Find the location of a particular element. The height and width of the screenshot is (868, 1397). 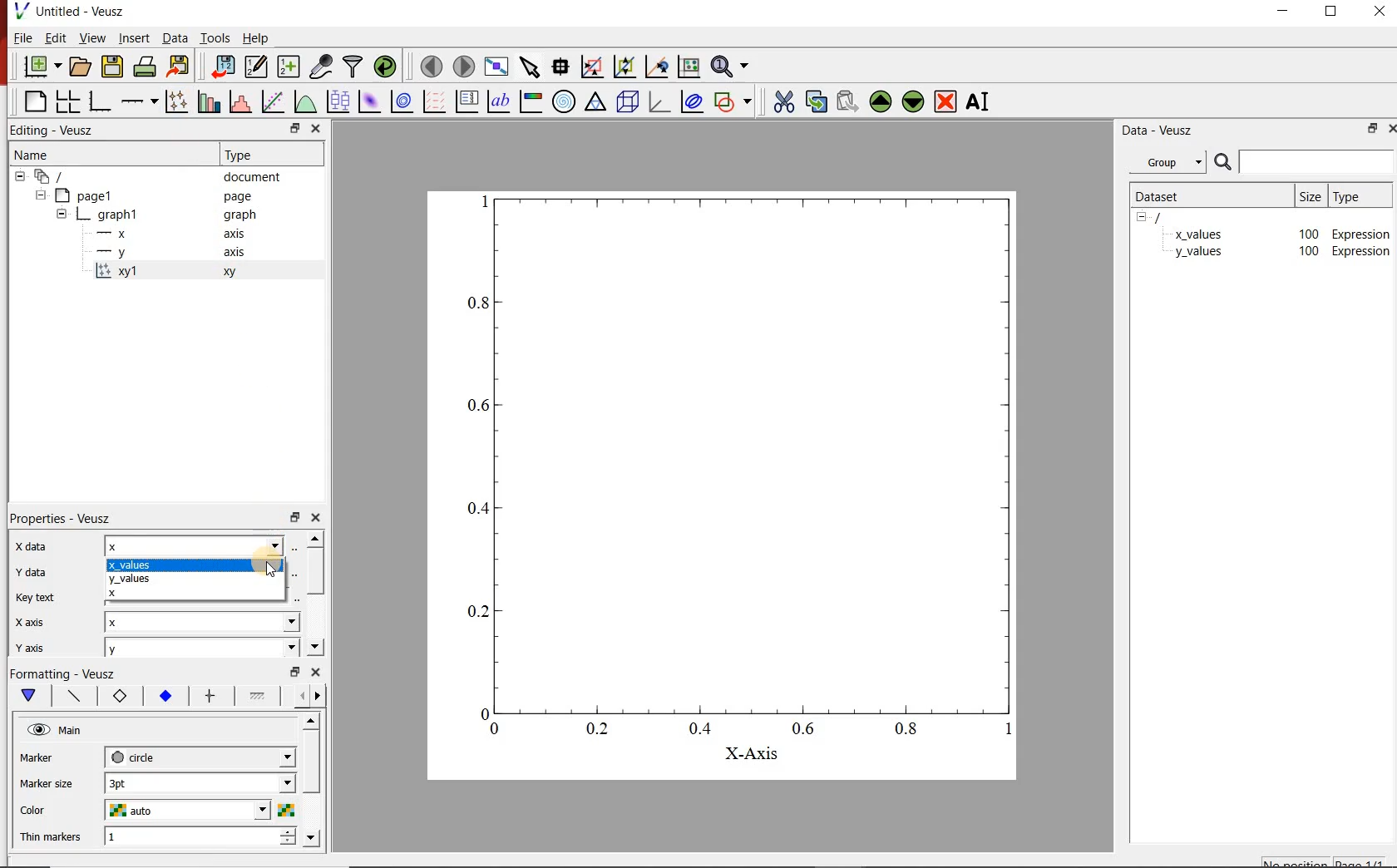

reload linked datasets is located at coordinates (383, 67).